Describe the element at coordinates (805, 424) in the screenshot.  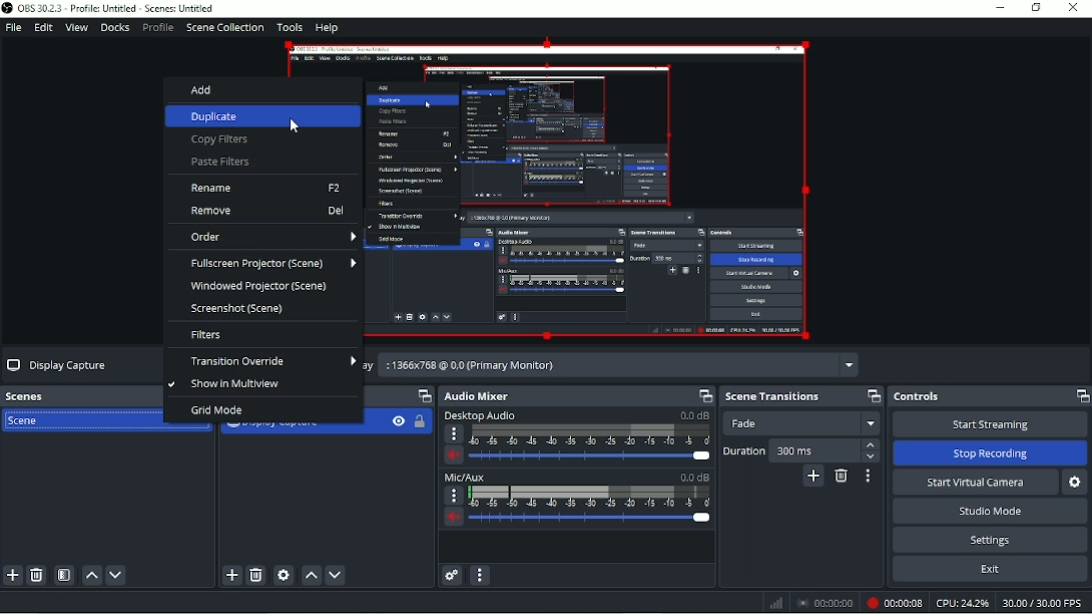
I see `Fade` at that location.